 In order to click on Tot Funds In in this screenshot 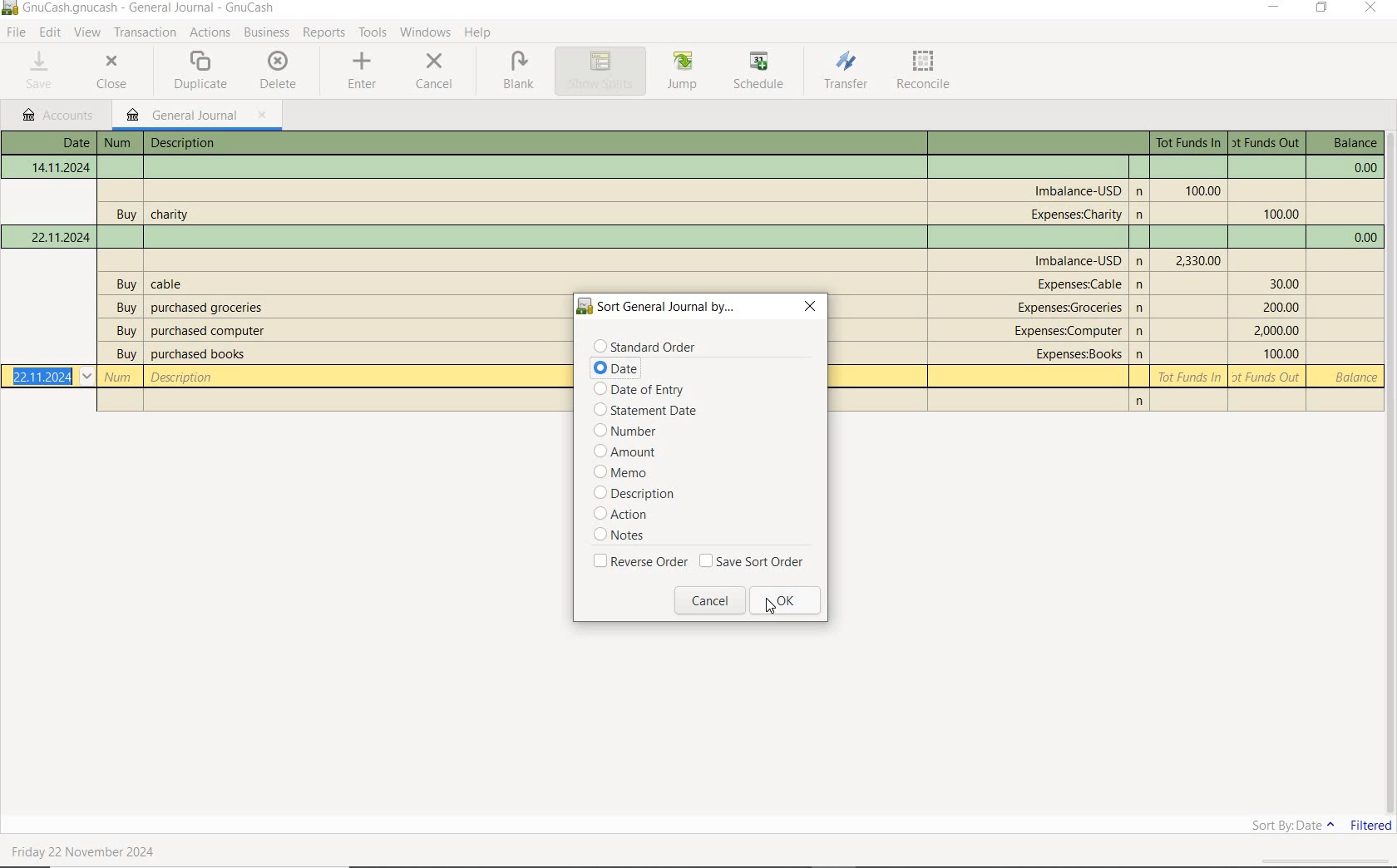, I will do `click(1201, 190)`.